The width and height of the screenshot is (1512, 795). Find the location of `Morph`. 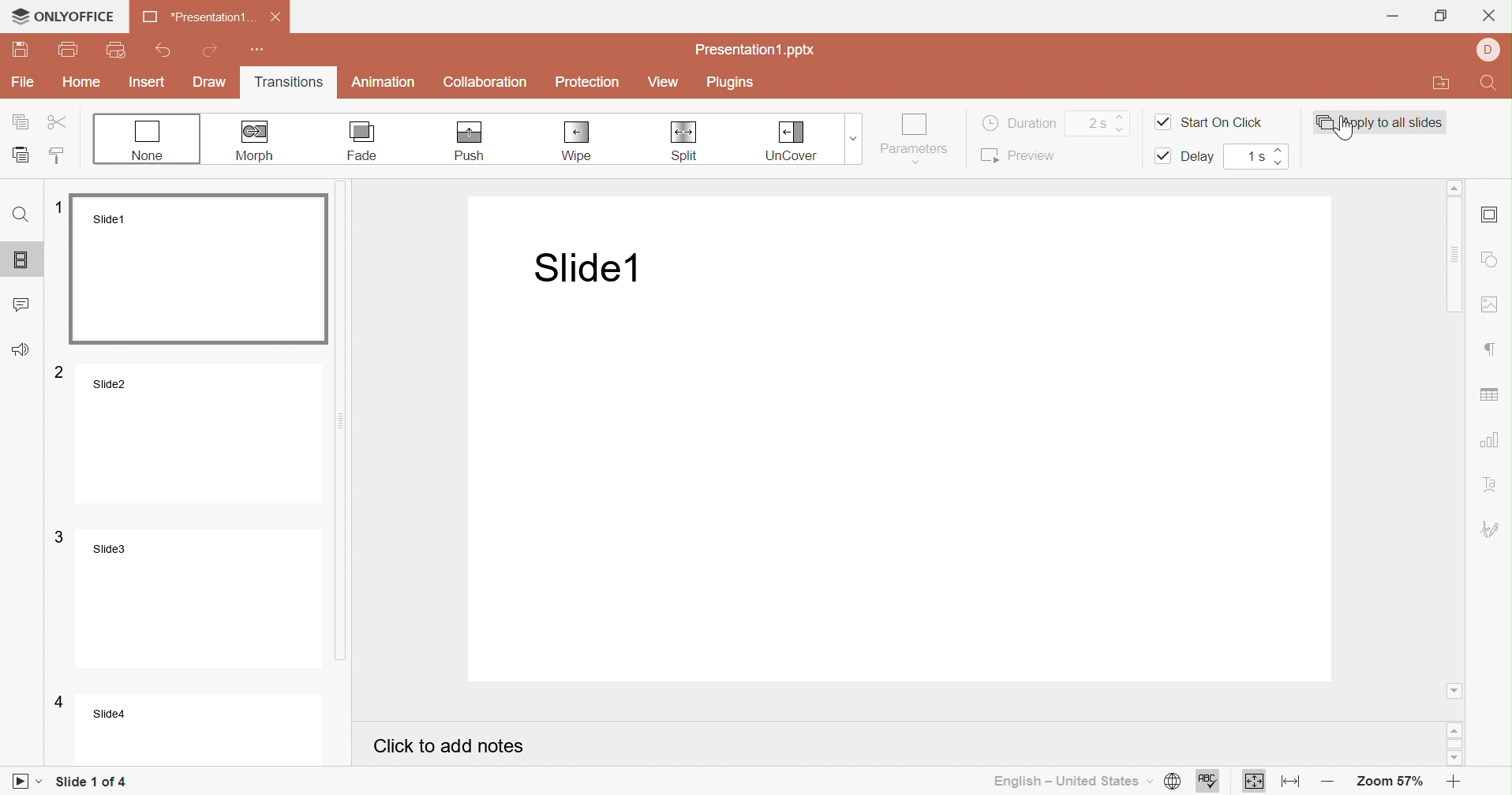

Morph is located at coordinates (253, 140).